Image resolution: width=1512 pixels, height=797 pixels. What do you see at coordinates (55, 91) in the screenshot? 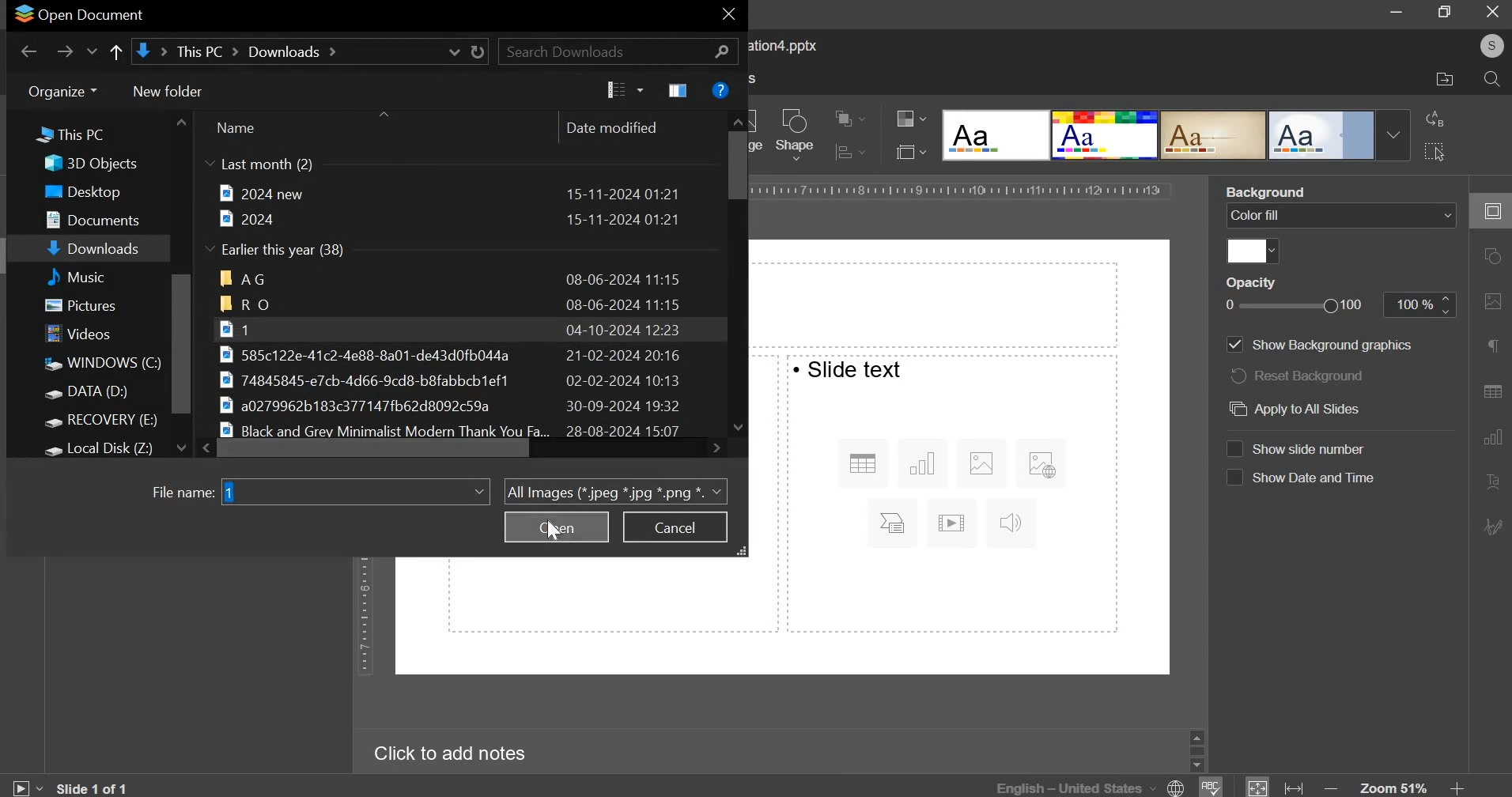
I see `organize` at bounding box center [55, 91].